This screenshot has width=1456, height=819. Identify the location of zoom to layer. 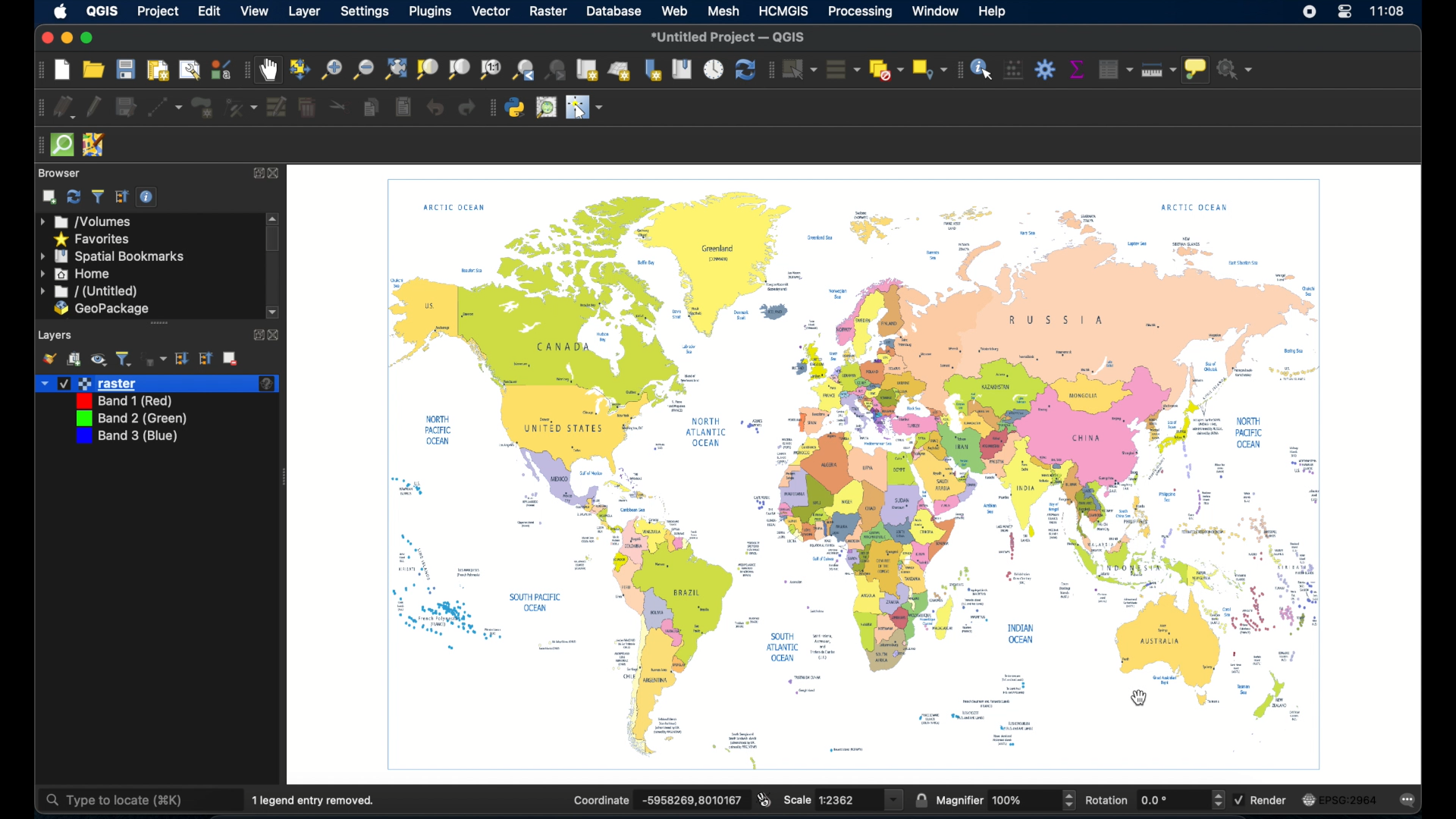
(458, 69).